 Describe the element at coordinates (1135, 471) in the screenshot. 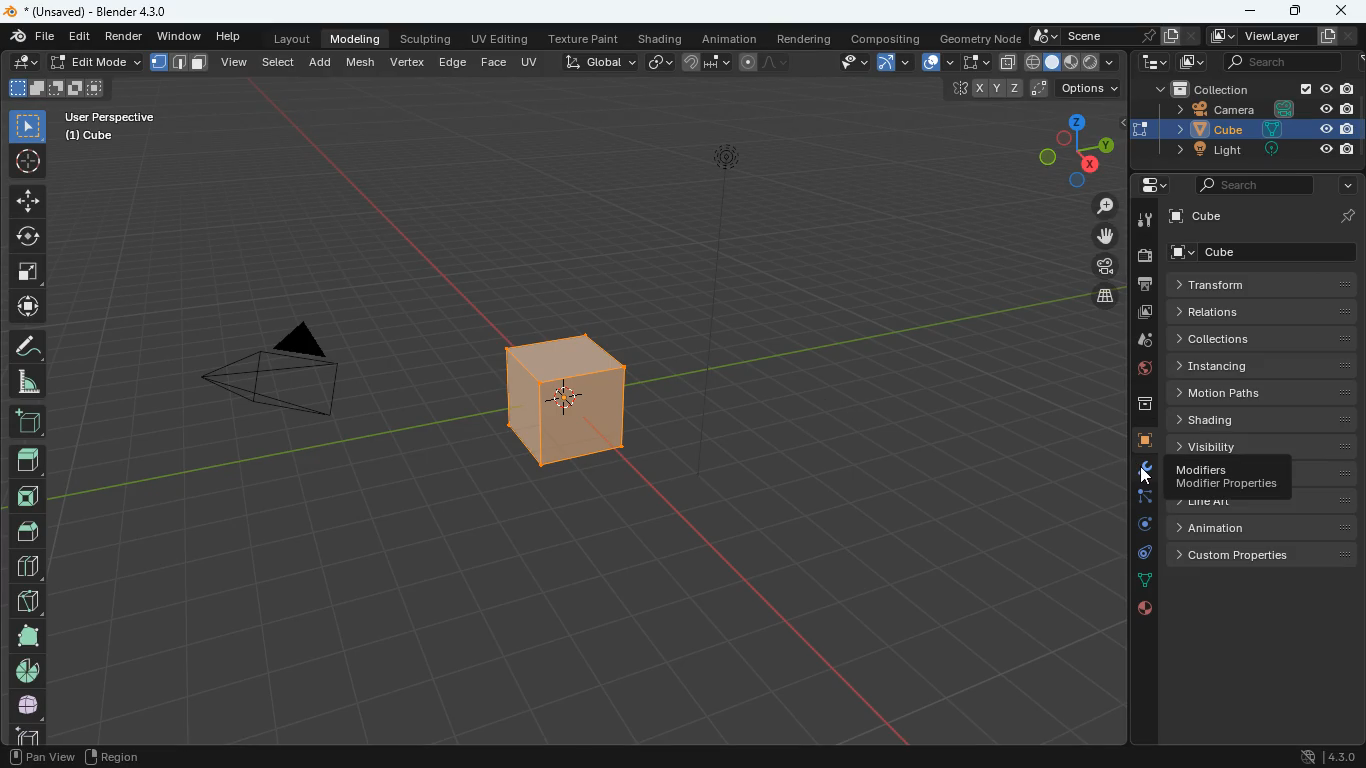

I see `tools` at that location.